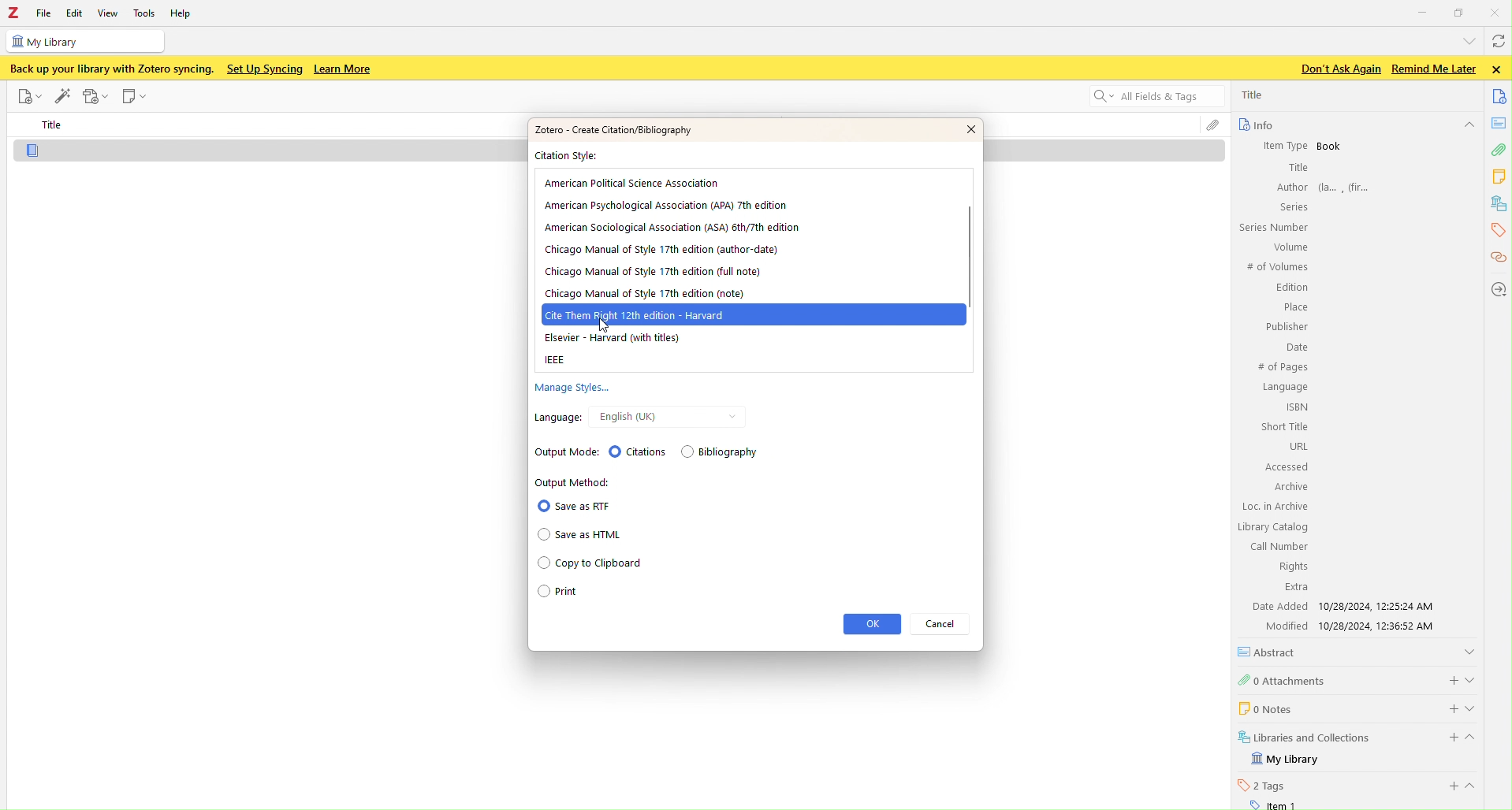 The image size is (1512, 810). Describe the element at coordinates (1288, 247) in the screenshot. I see `‘Volume` at that location.